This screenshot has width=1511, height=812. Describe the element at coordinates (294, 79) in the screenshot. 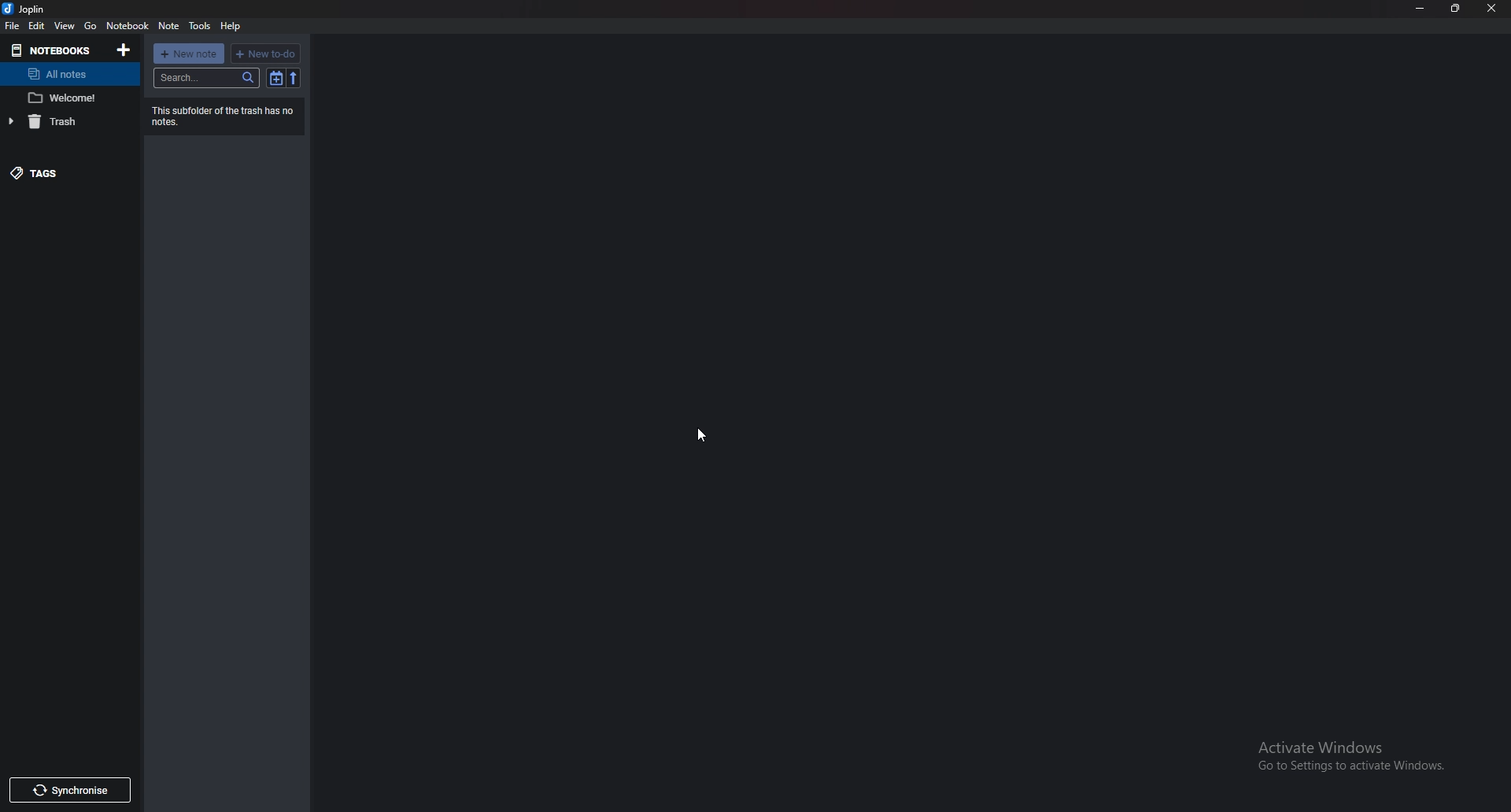

I see `reverse sort order` at that location.